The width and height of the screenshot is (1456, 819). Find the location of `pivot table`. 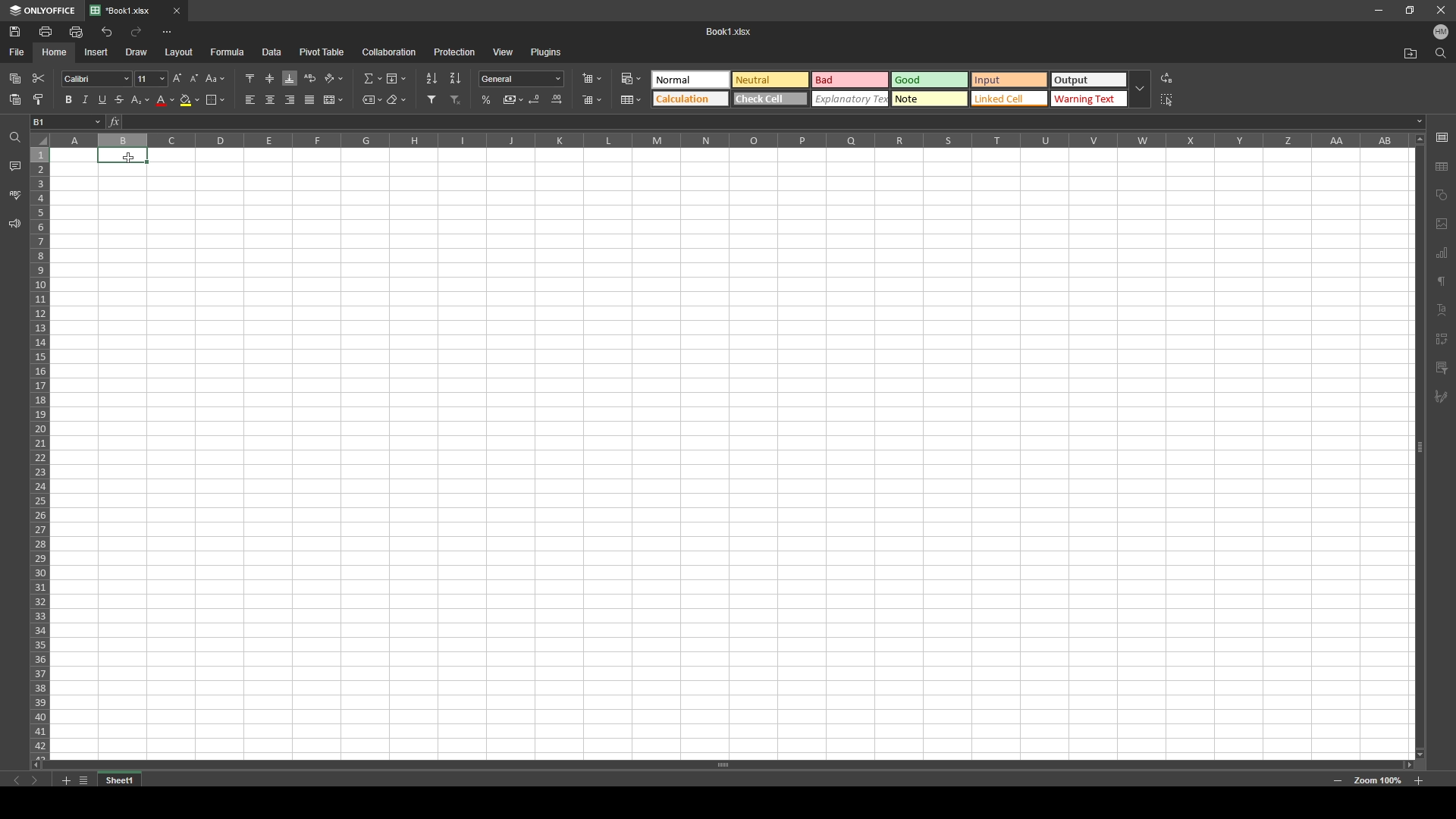

pivot table is located at coordinates (322, 52).